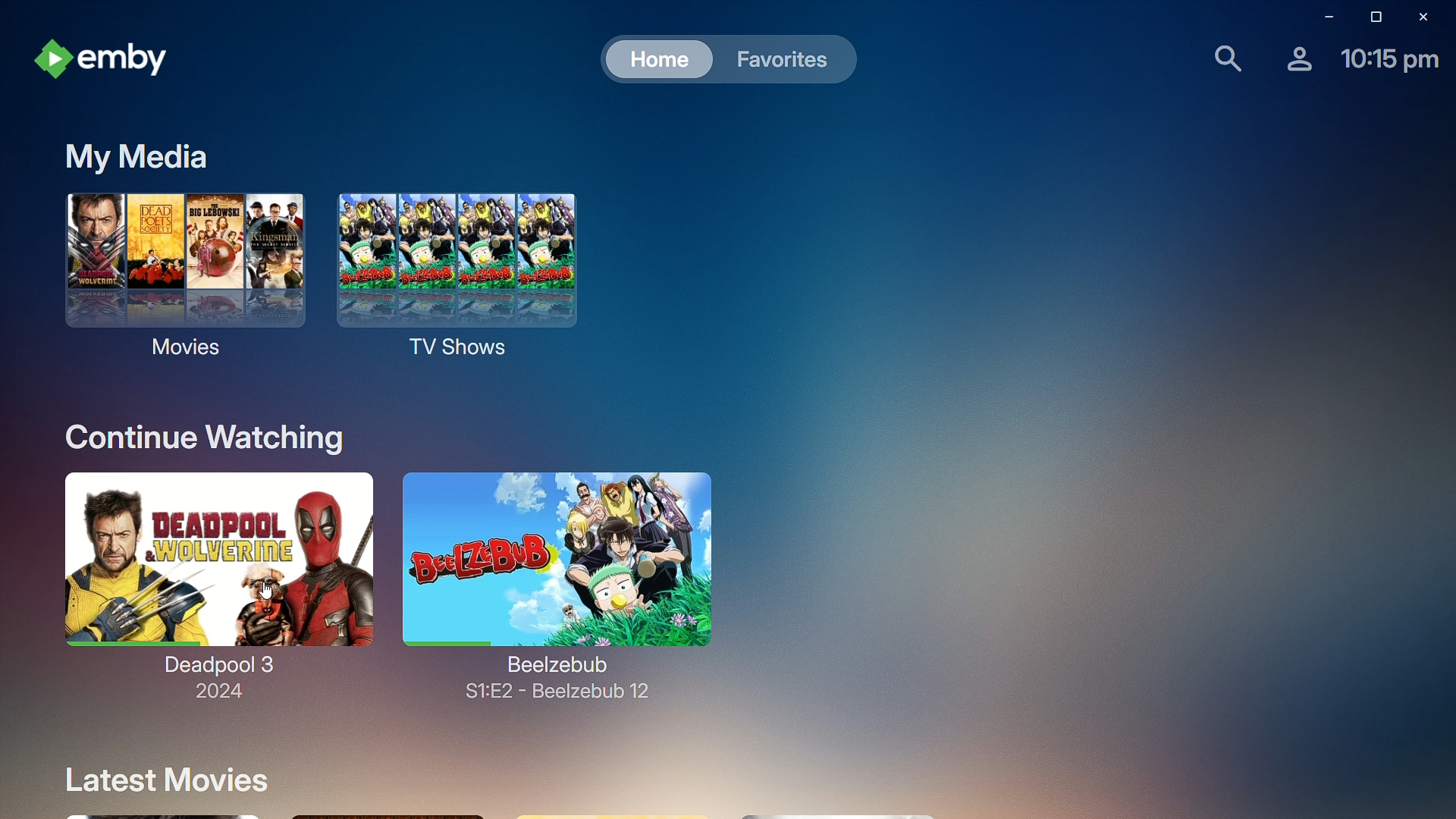  What do you see at coordinates (1222, 61) in the screenshot?
I see `Find` at bounding box center [1222, 61].